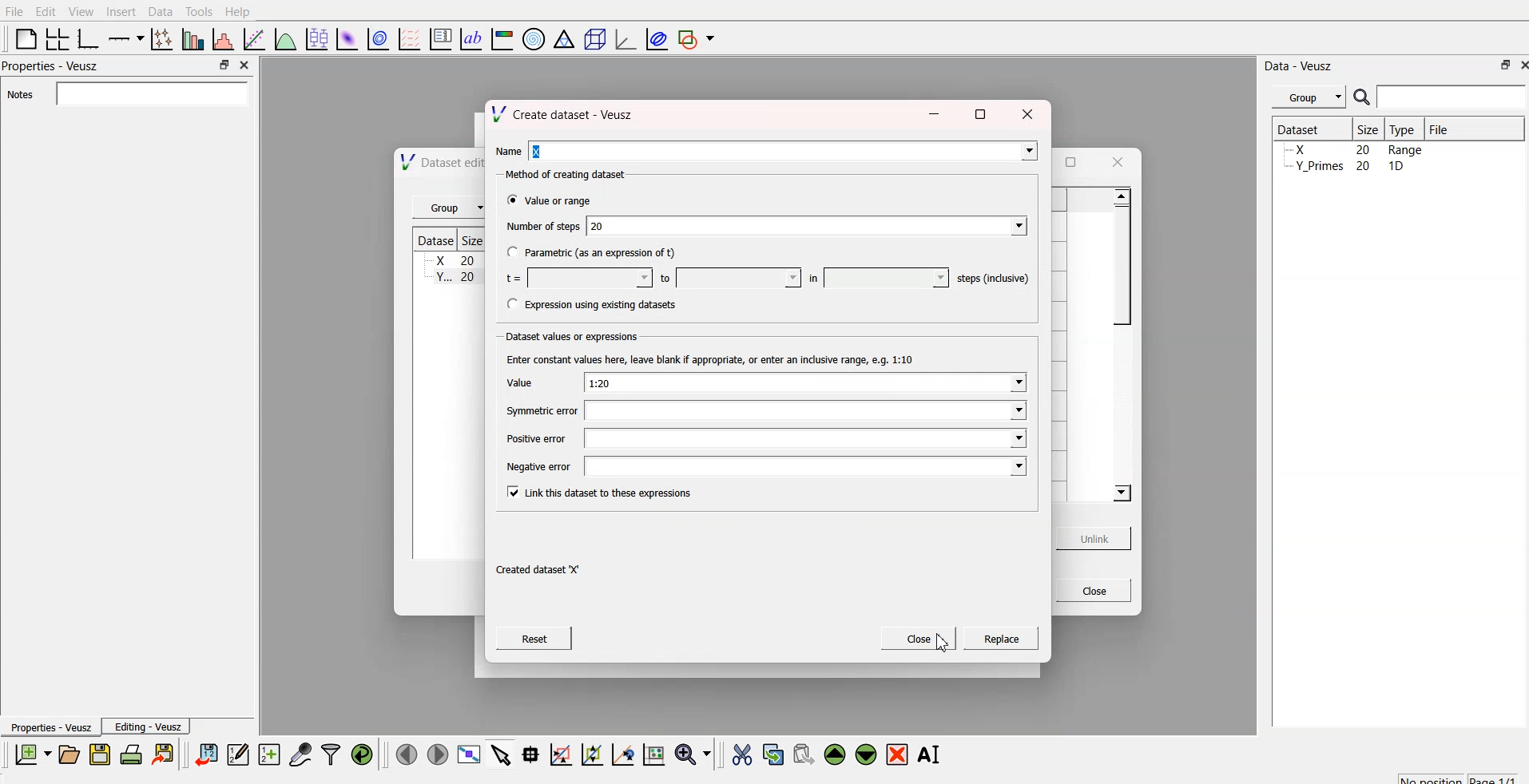 The width and height of the screenshot is (1529, 784). Describe the element at coordinates (1344, 149) in the screenshot. I see `Y_Primes 20 1D` at that location.